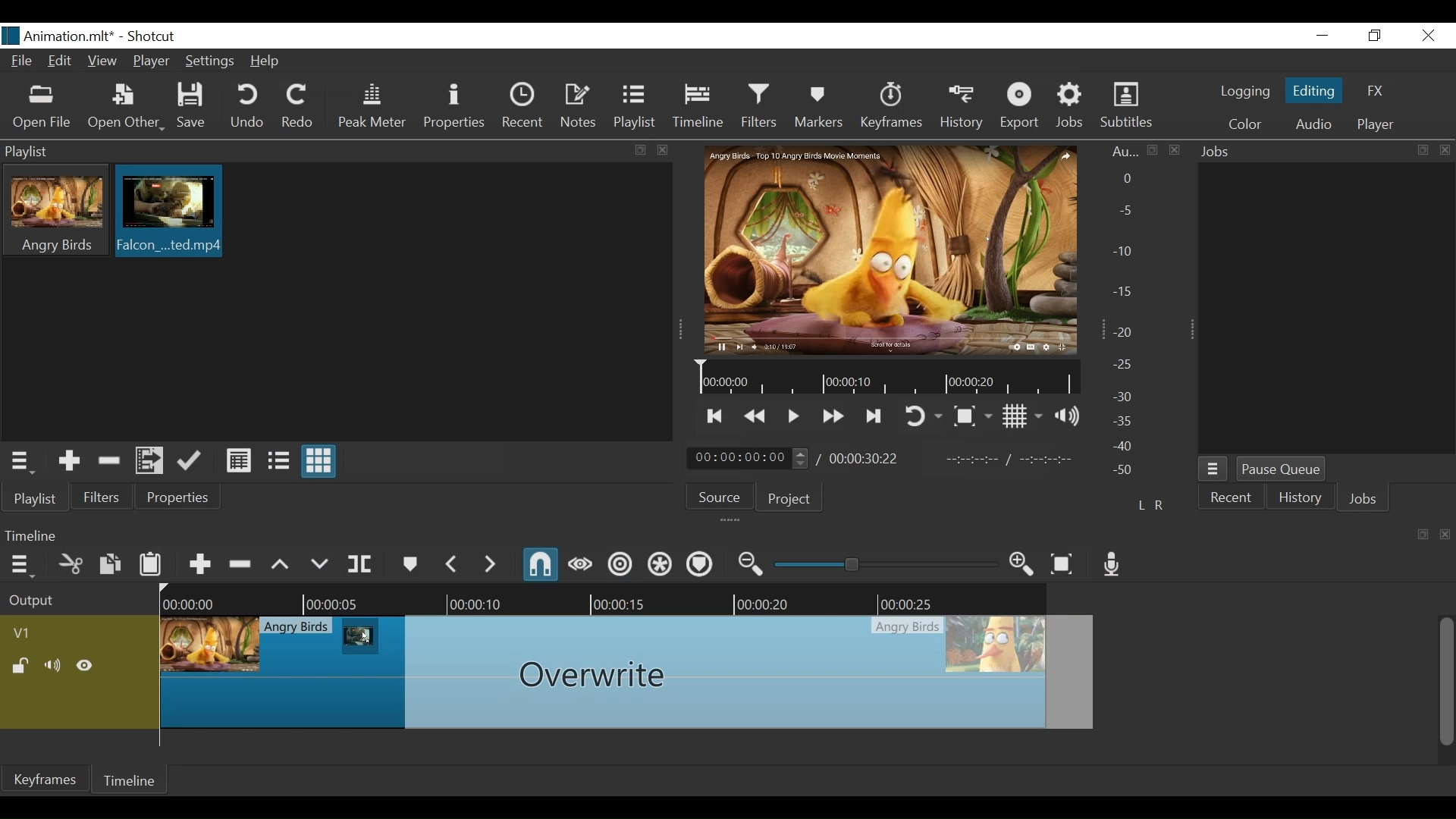 This screenshot has height=819, width=1456. Describe the element at coordinates (866, 459) in the screenshot. I see `Total Duration` at that location.